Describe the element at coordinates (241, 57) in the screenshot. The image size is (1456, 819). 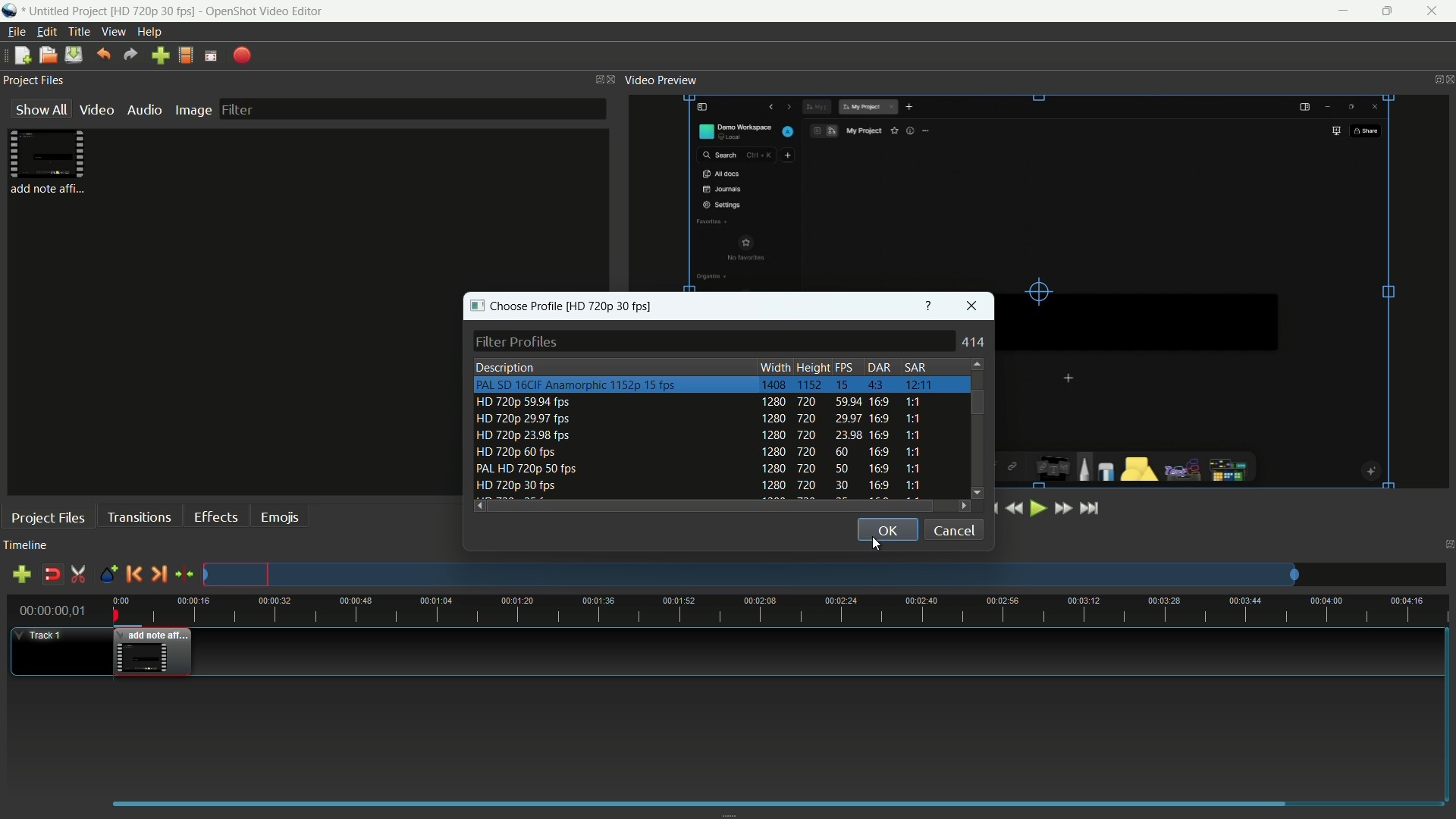
I see `export` at that location.